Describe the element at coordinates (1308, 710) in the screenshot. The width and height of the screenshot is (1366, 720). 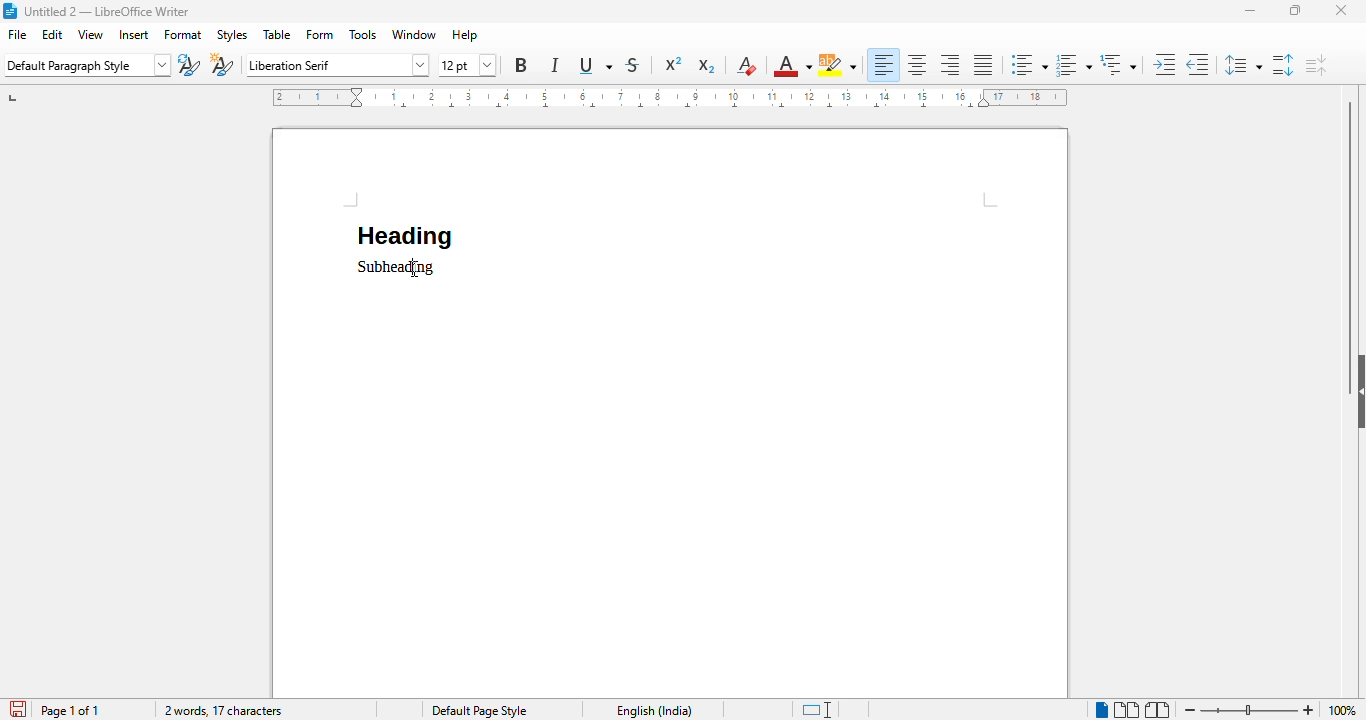
I see `zoom in` at that location.